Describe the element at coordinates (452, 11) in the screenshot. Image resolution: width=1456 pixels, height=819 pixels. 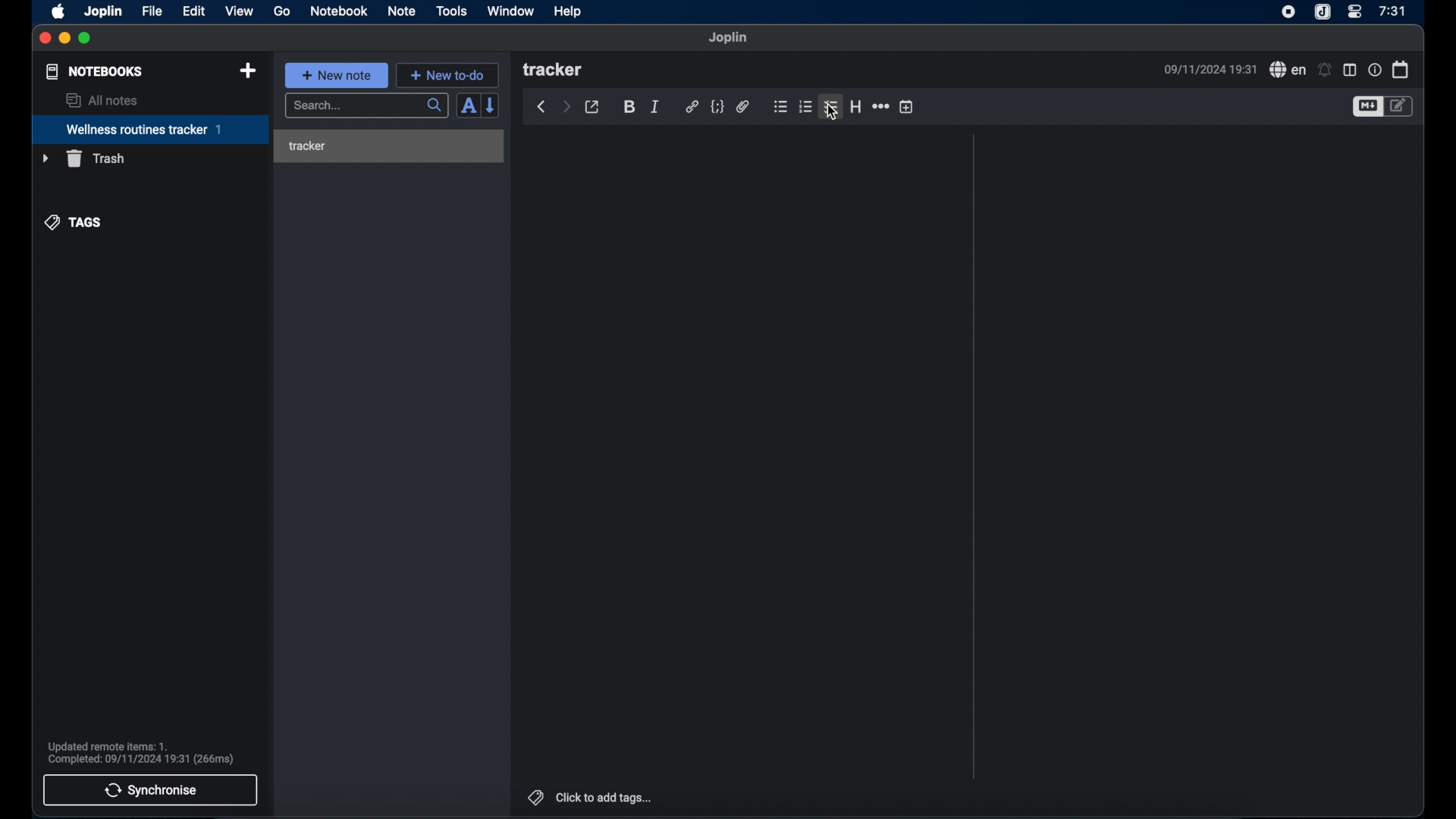
I see `tools` at that location.